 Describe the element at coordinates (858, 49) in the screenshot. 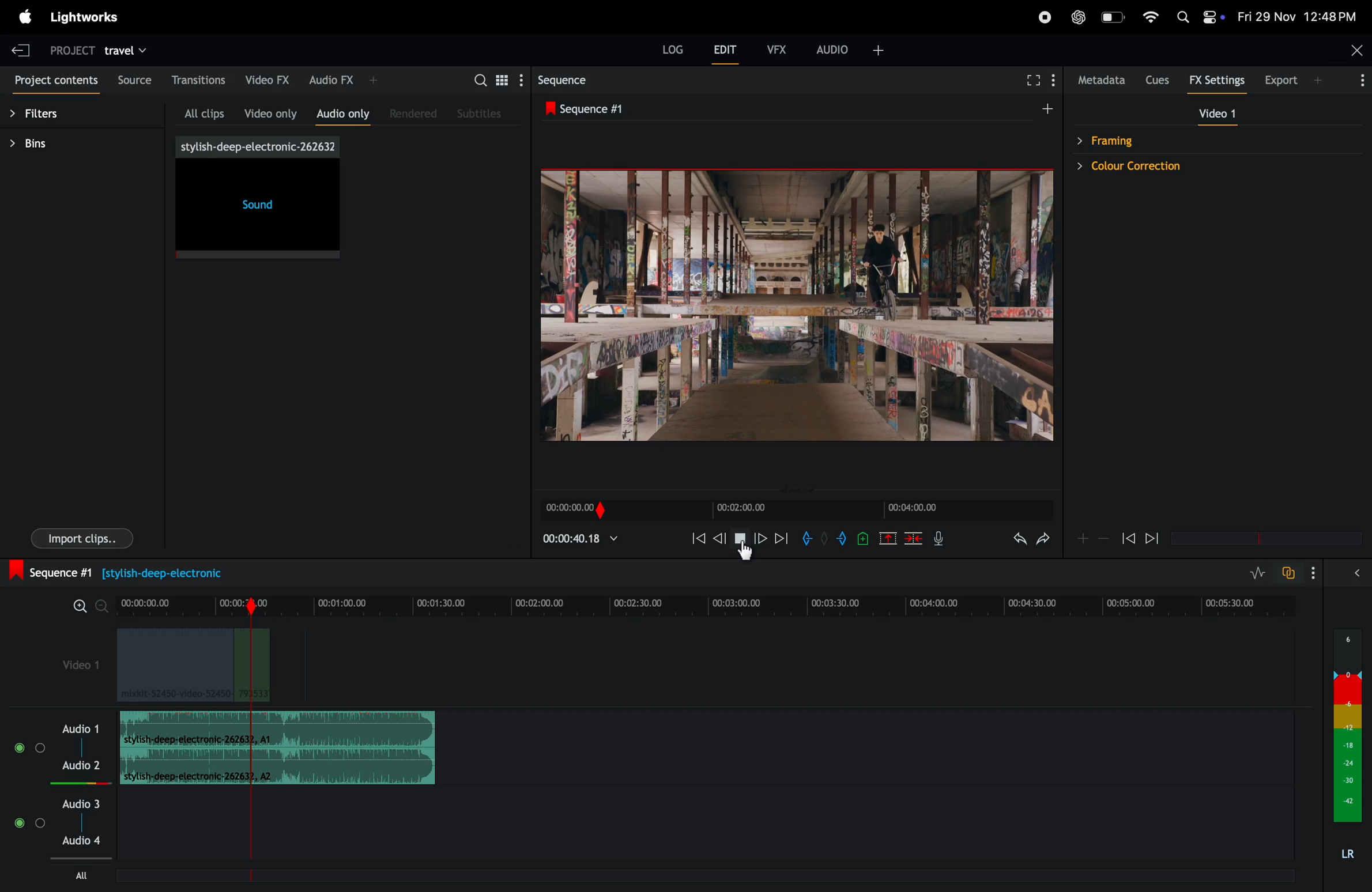

I see `audio` at that location.